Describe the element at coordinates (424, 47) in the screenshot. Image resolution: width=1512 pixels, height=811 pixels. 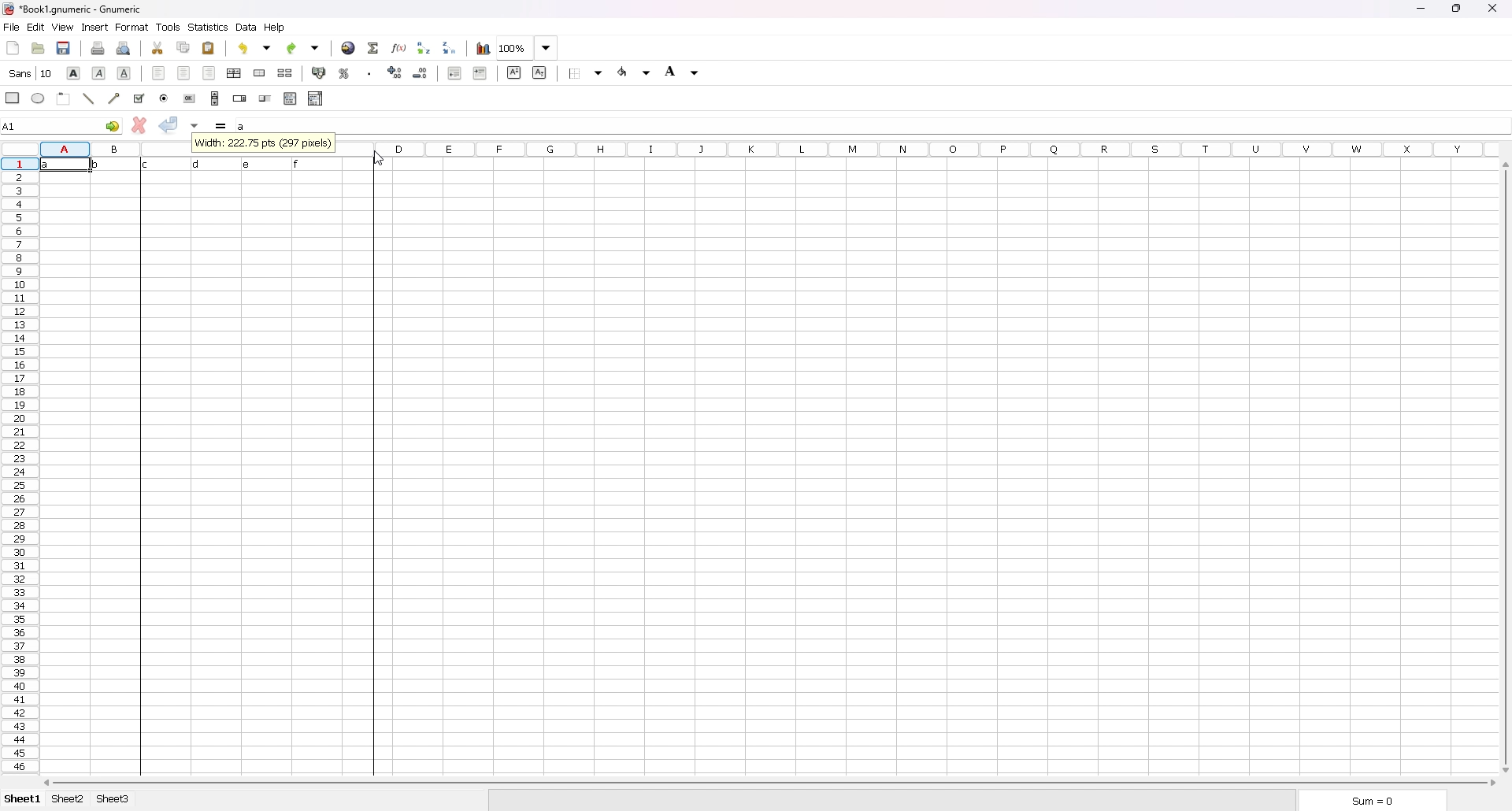
I see `sort ascending` at that location.